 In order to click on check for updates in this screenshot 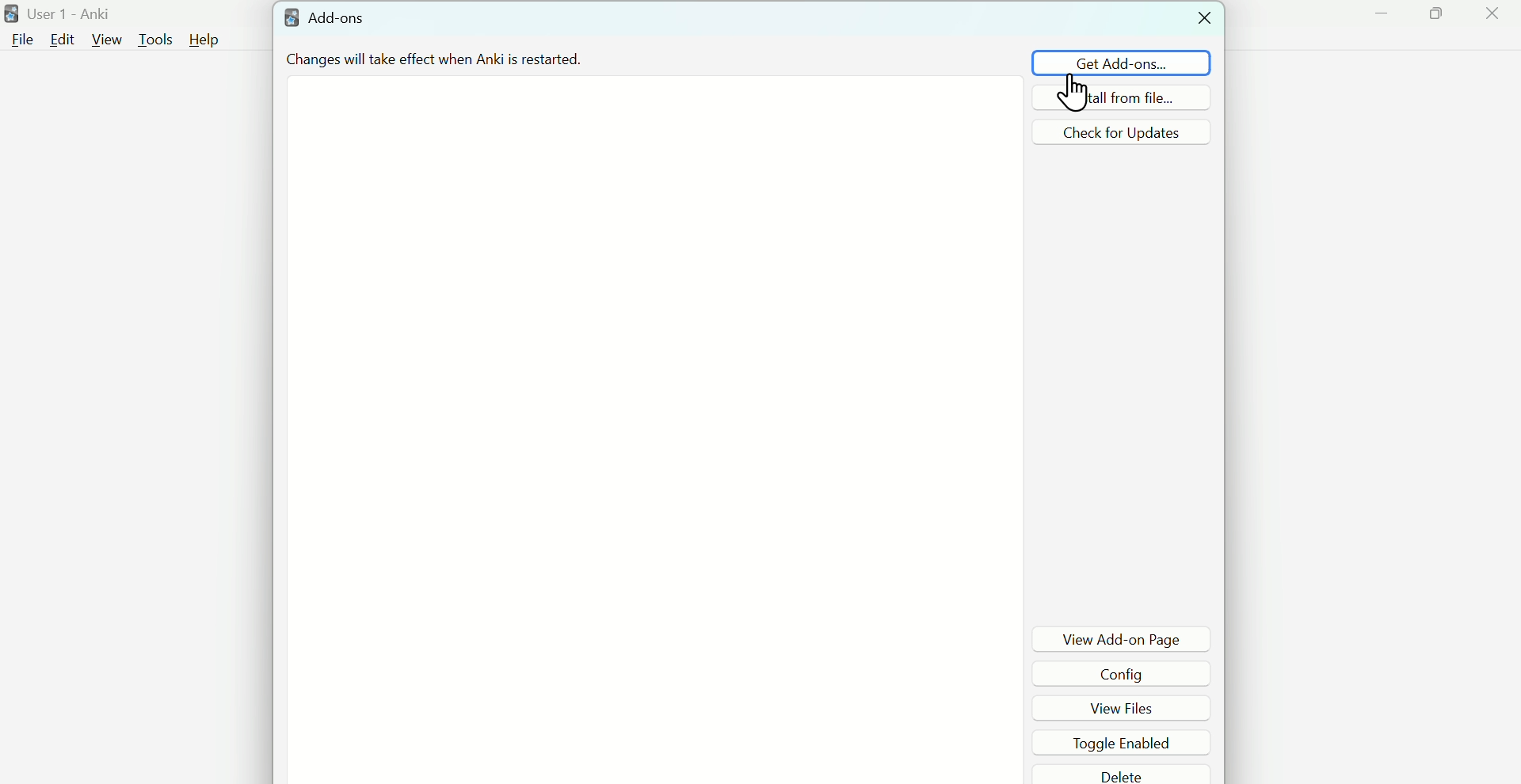, I will do `click(1122, 131)`.